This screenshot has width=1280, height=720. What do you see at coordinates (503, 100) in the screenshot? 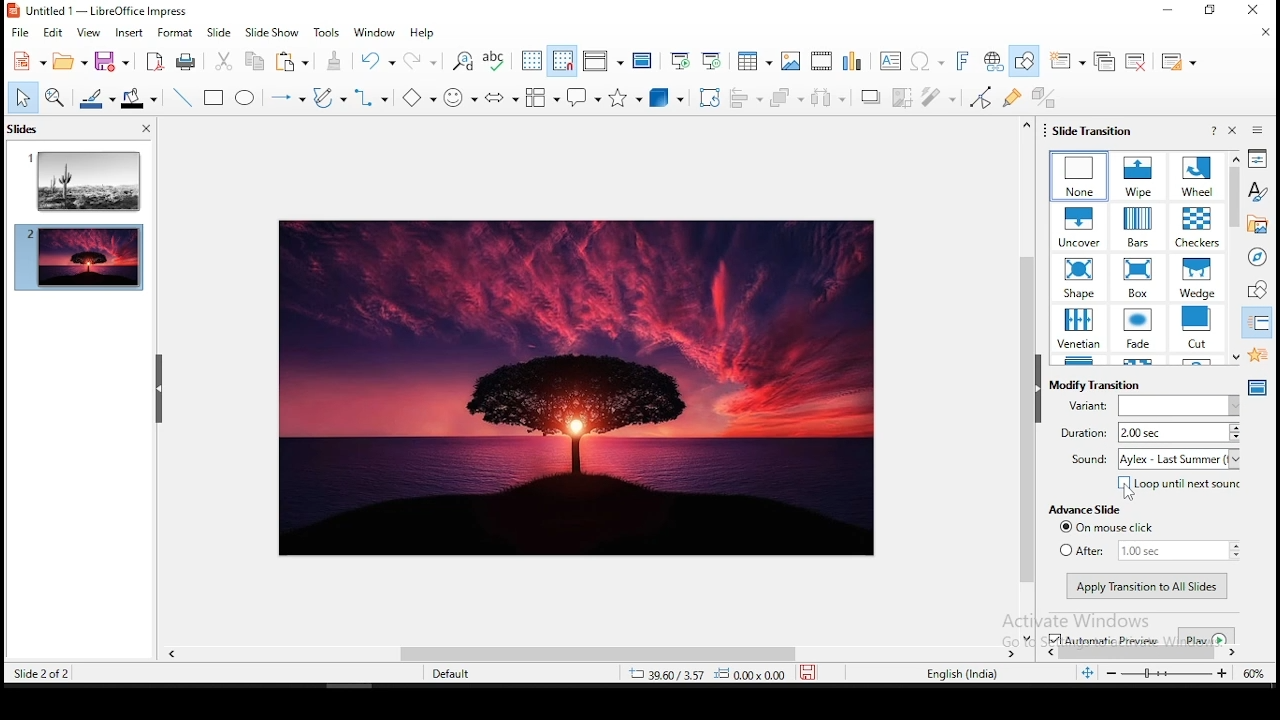
I see `block arrows` at bounding box center [503, 100].